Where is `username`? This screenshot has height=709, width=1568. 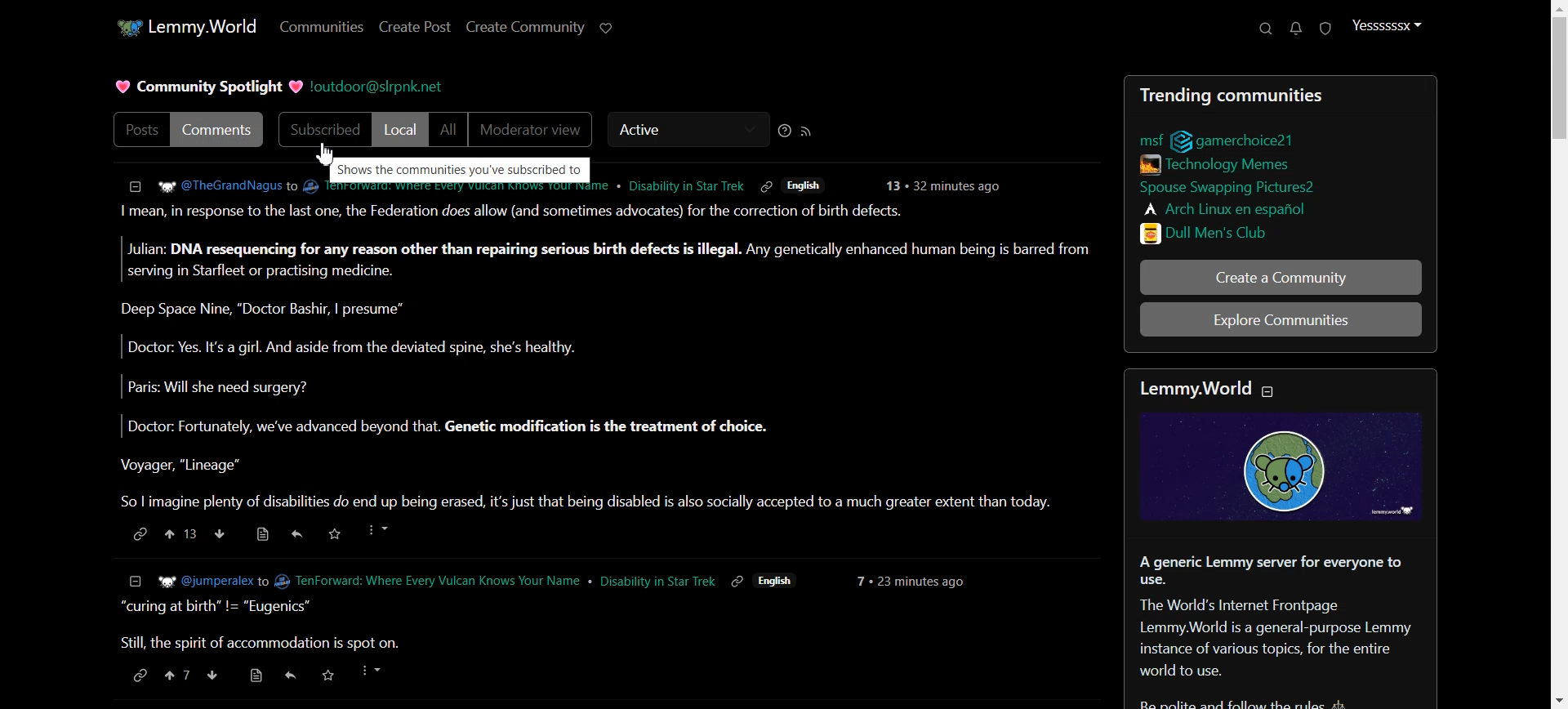
username is located at coordinates (672, 185).